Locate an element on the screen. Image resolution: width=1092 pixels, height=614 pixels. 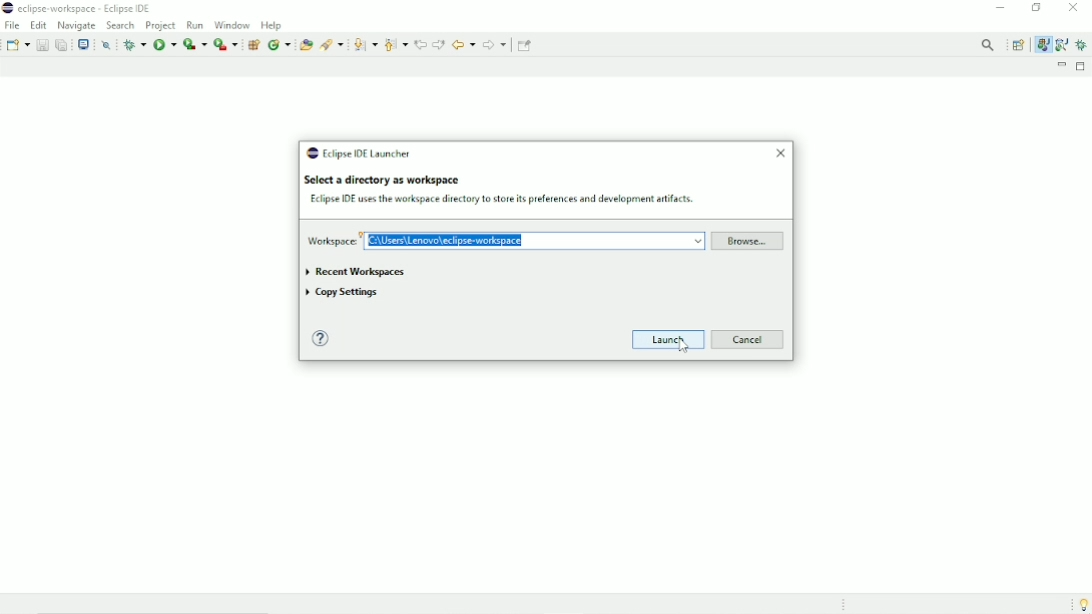
Run is located at coordinates (195, 25).